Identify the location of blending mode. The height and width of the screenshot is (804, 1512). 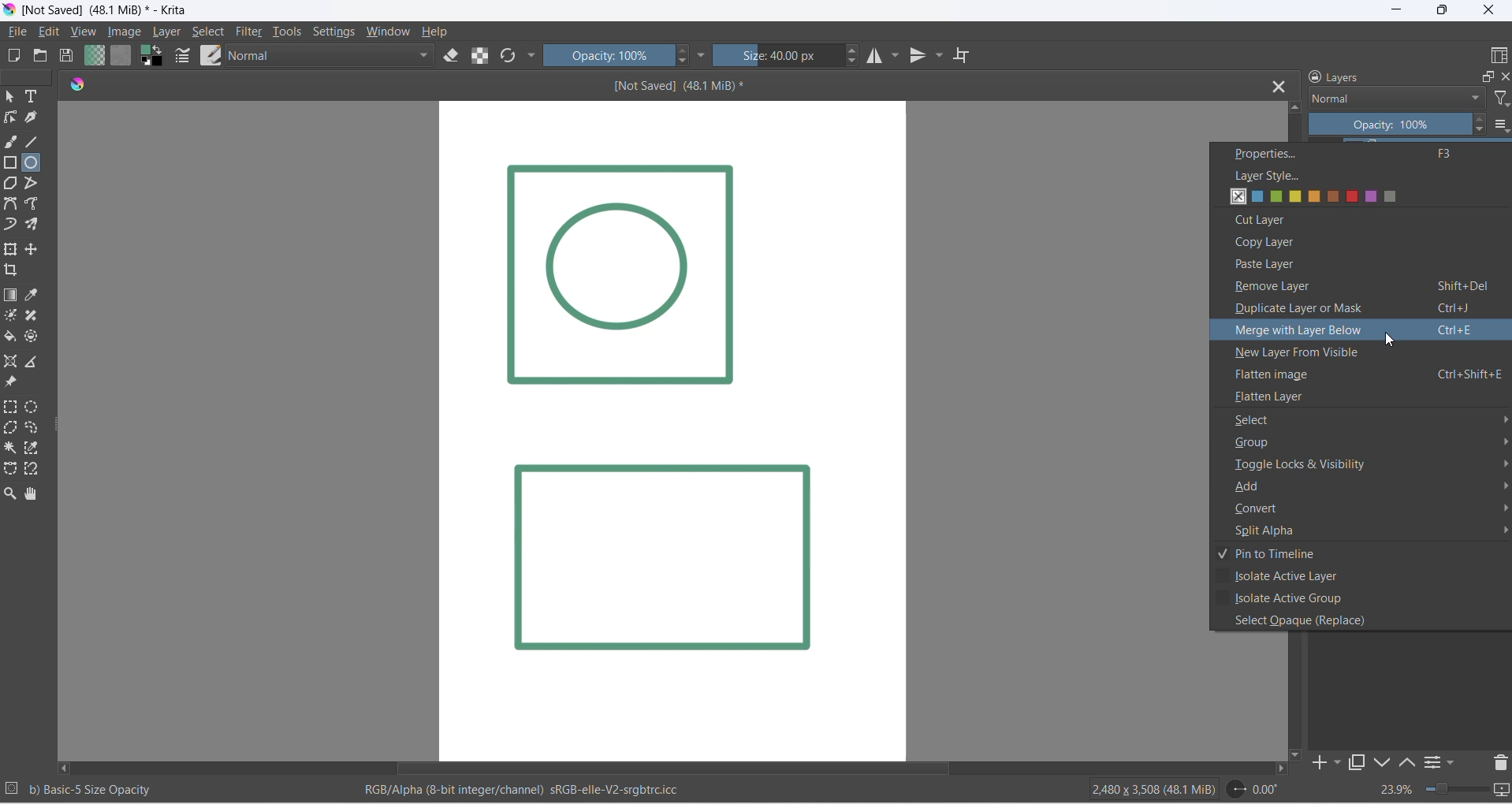
(329, 57).